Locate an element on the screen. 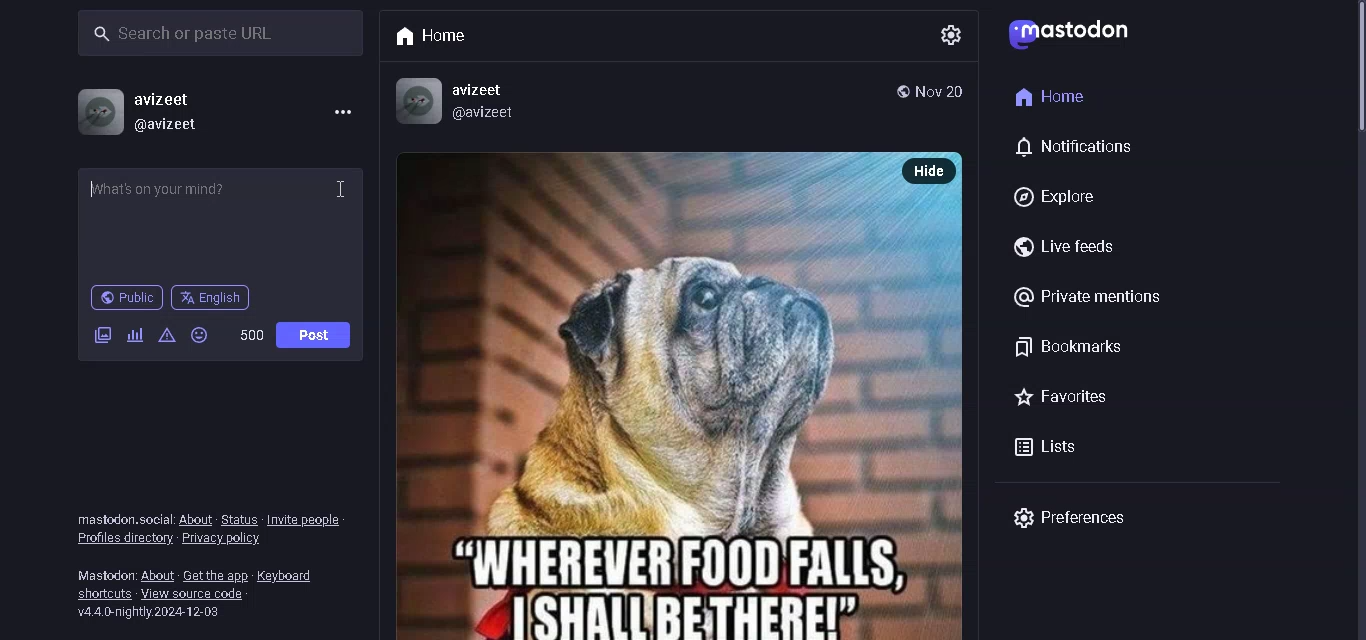 This screenshot has width=1366, height=640. get the app is located at coordinates (216, 574).